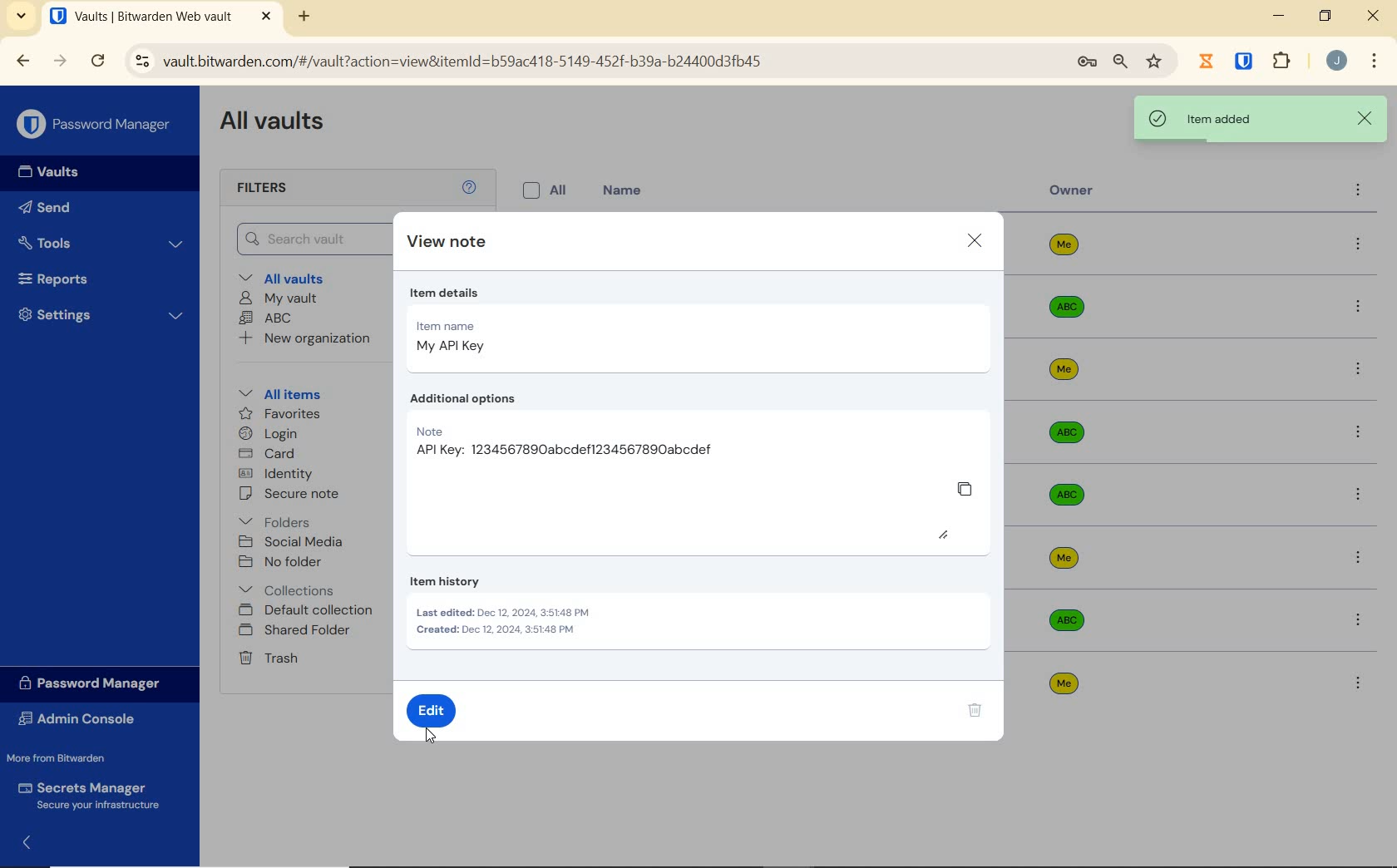  I want to click on expand/collapse, so click(30, 841).